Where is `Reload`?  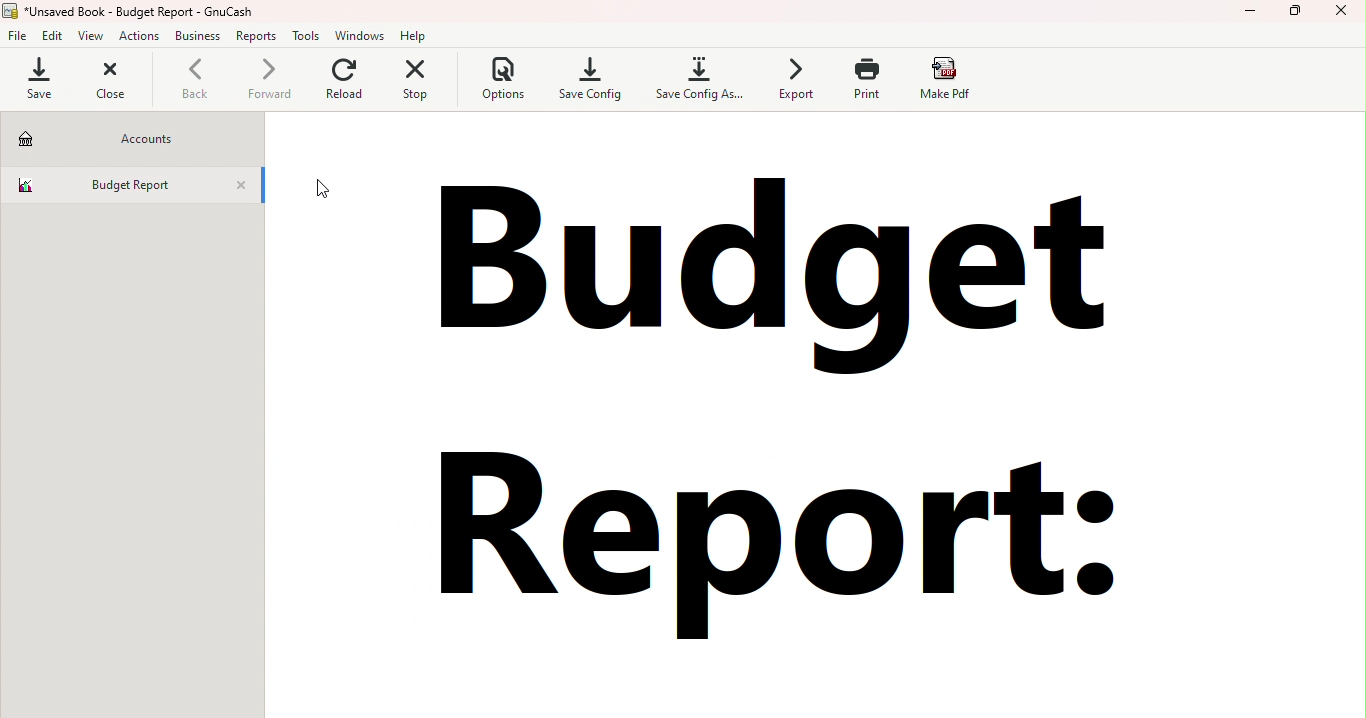 Reload is located at coordinates (344, 83).